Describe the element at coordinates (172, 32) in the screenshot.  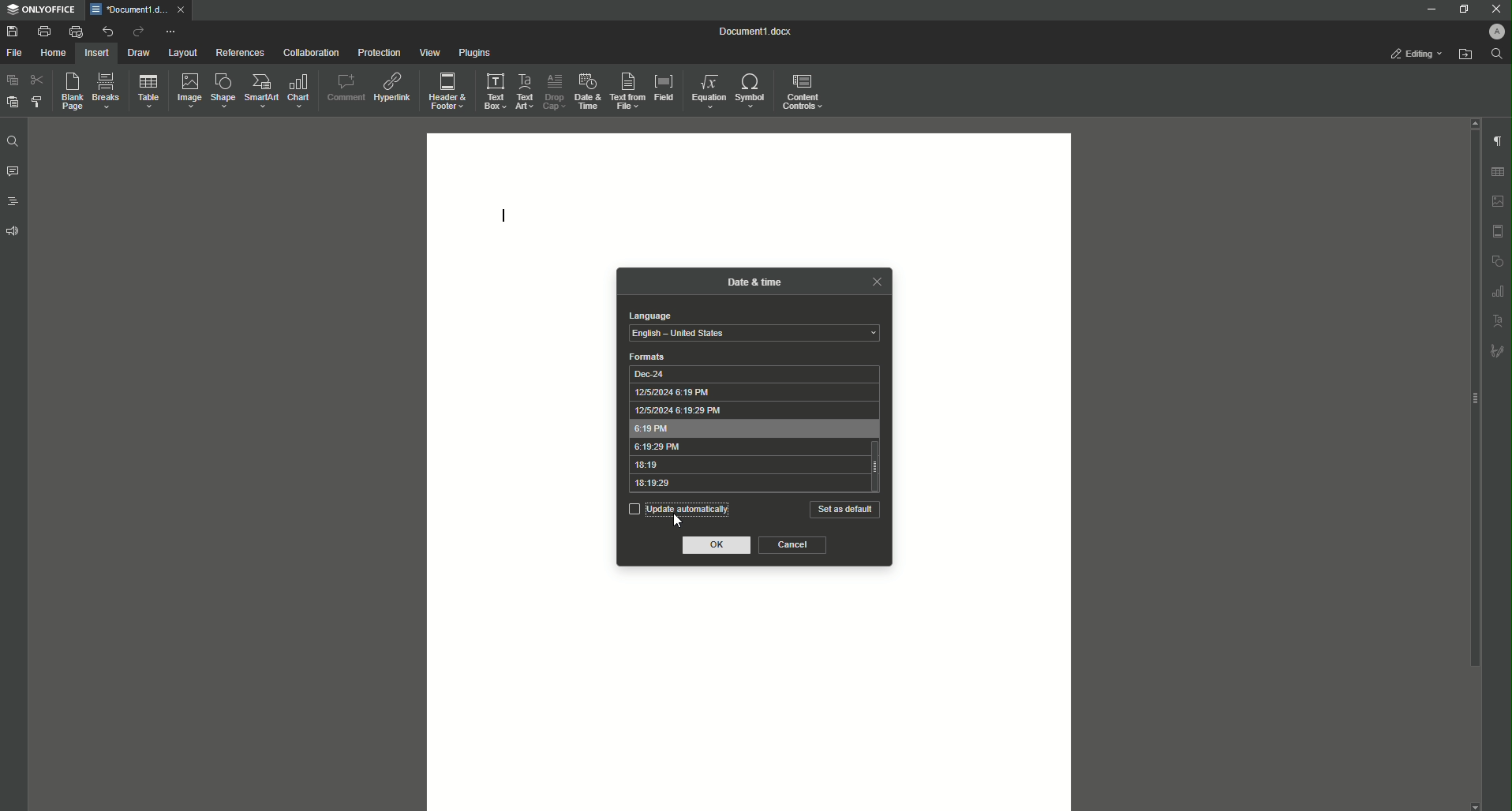
I see `More options` at that location.